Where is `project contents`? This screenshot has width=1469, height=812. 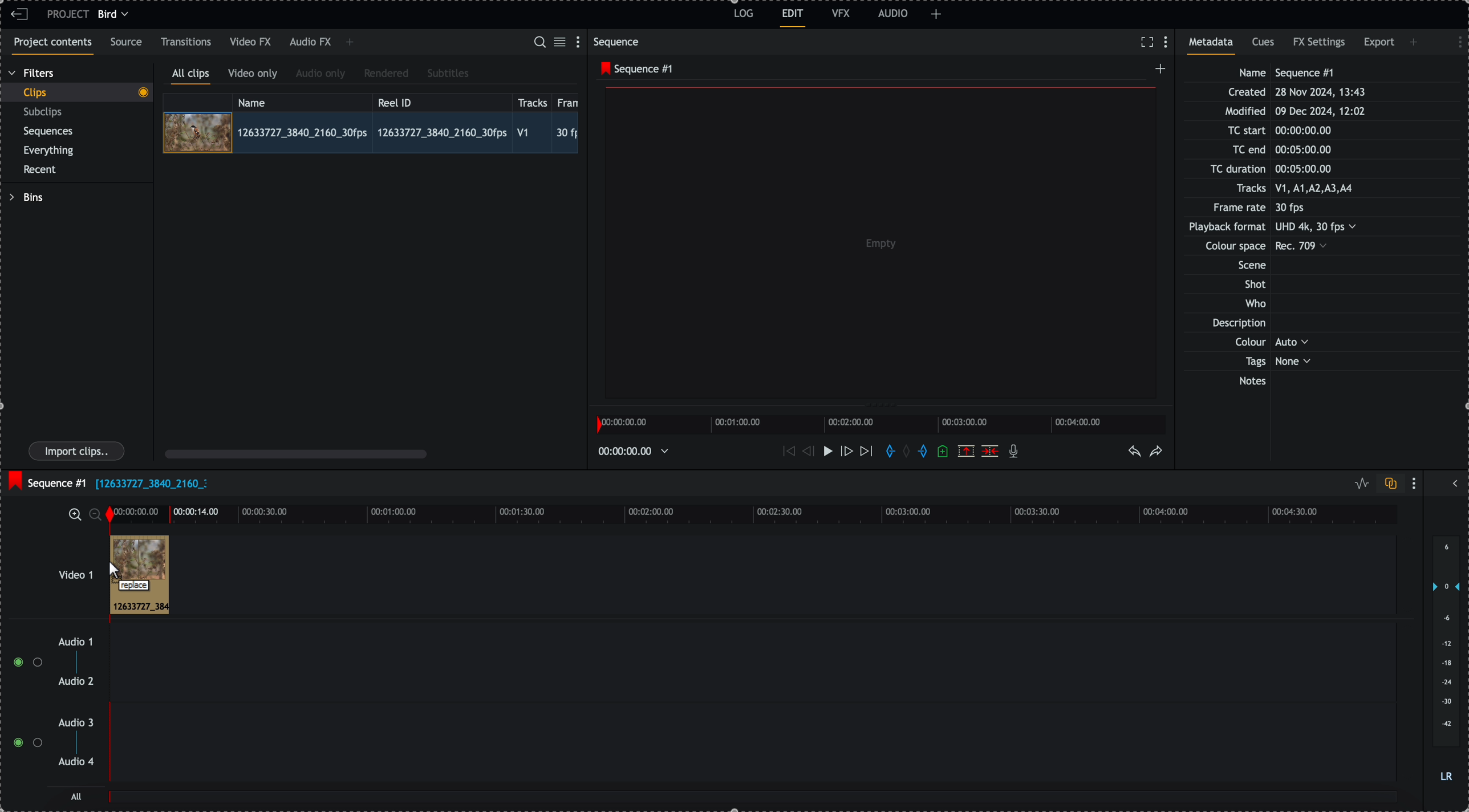
project contents is located at coordinates (50, 46).